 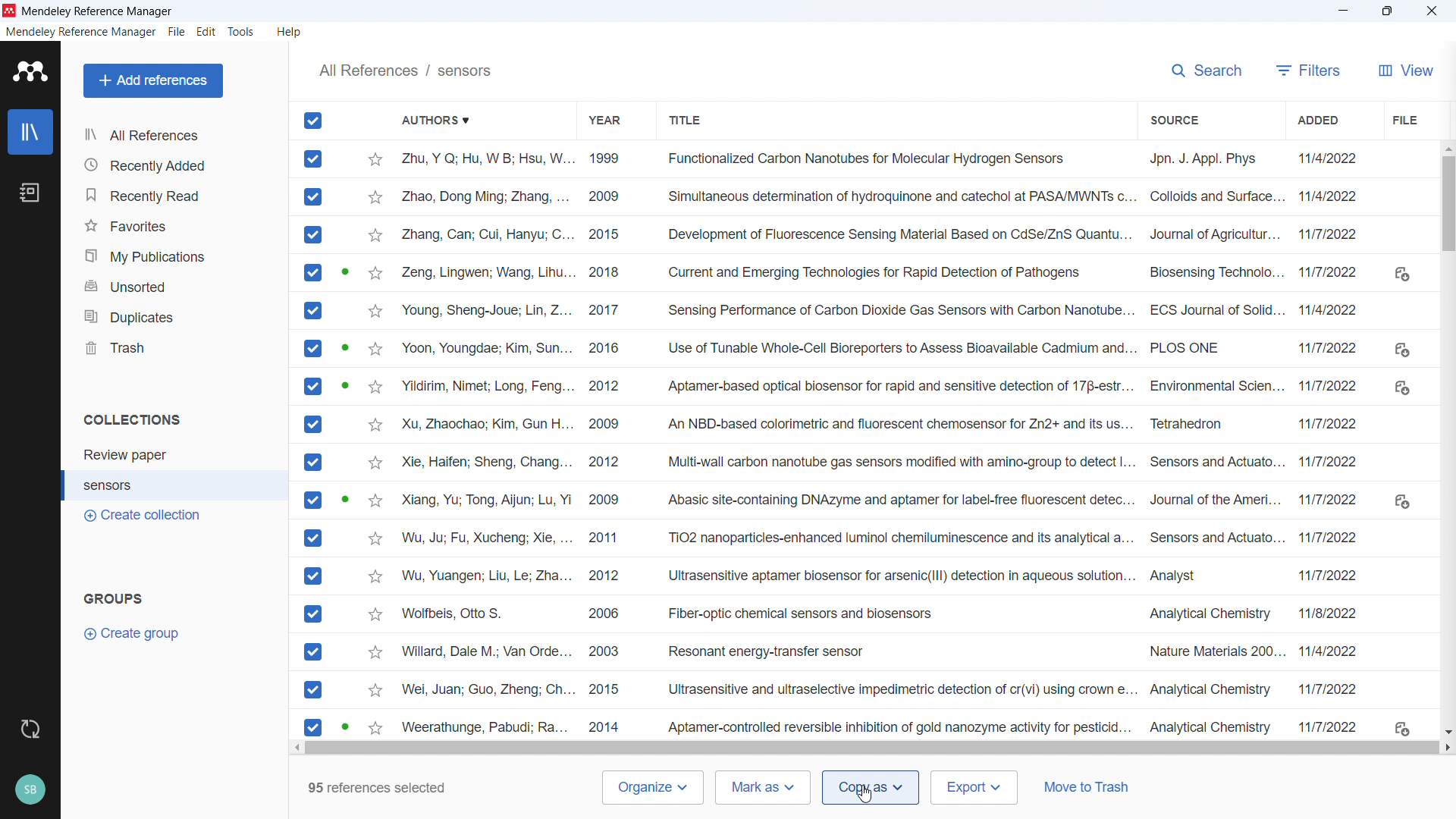 I want to click on Scroll right, so click(x=1447, y=748).